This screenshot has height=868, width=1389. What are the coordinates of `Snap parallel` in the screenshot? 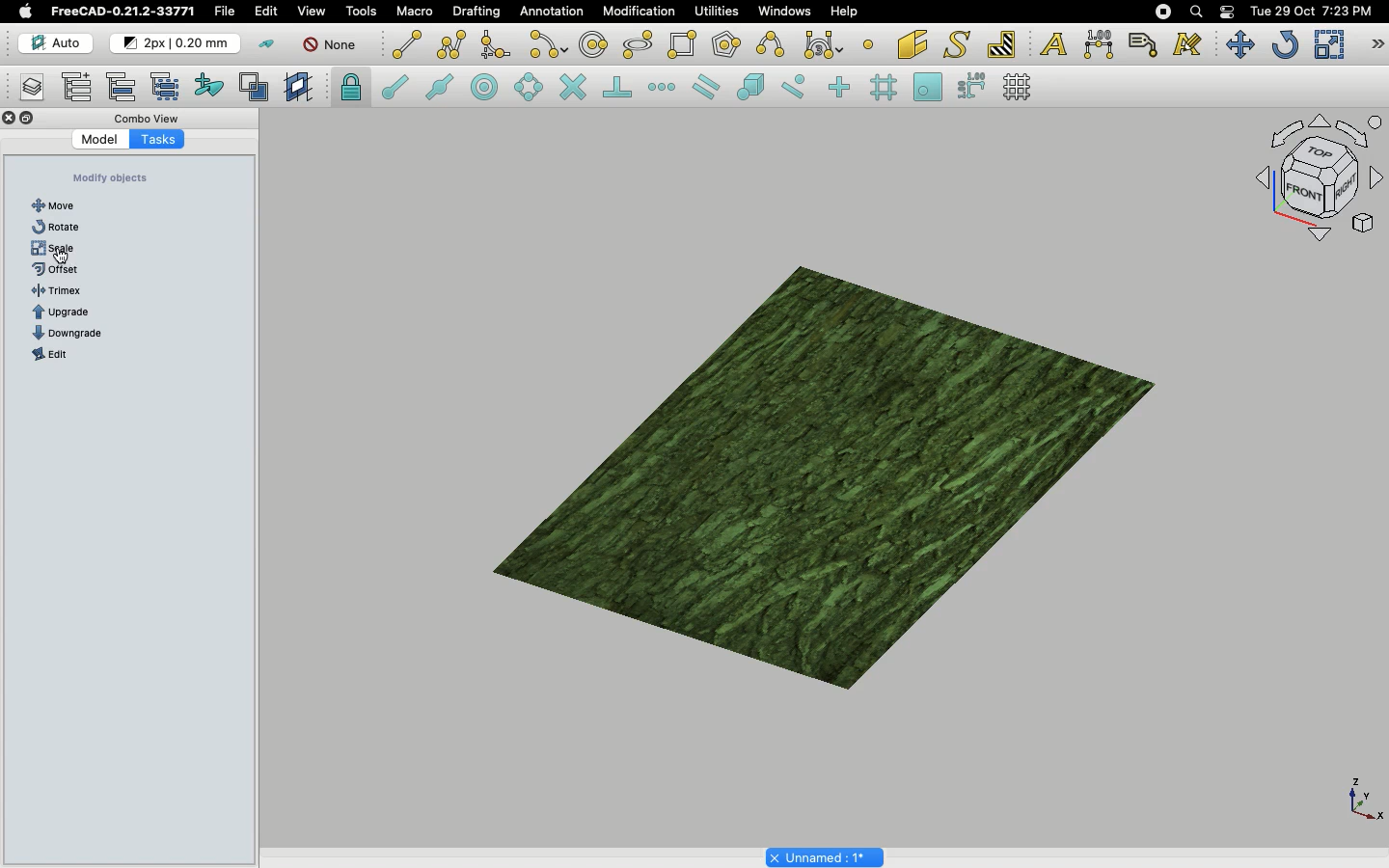 It's located at (704, 87).